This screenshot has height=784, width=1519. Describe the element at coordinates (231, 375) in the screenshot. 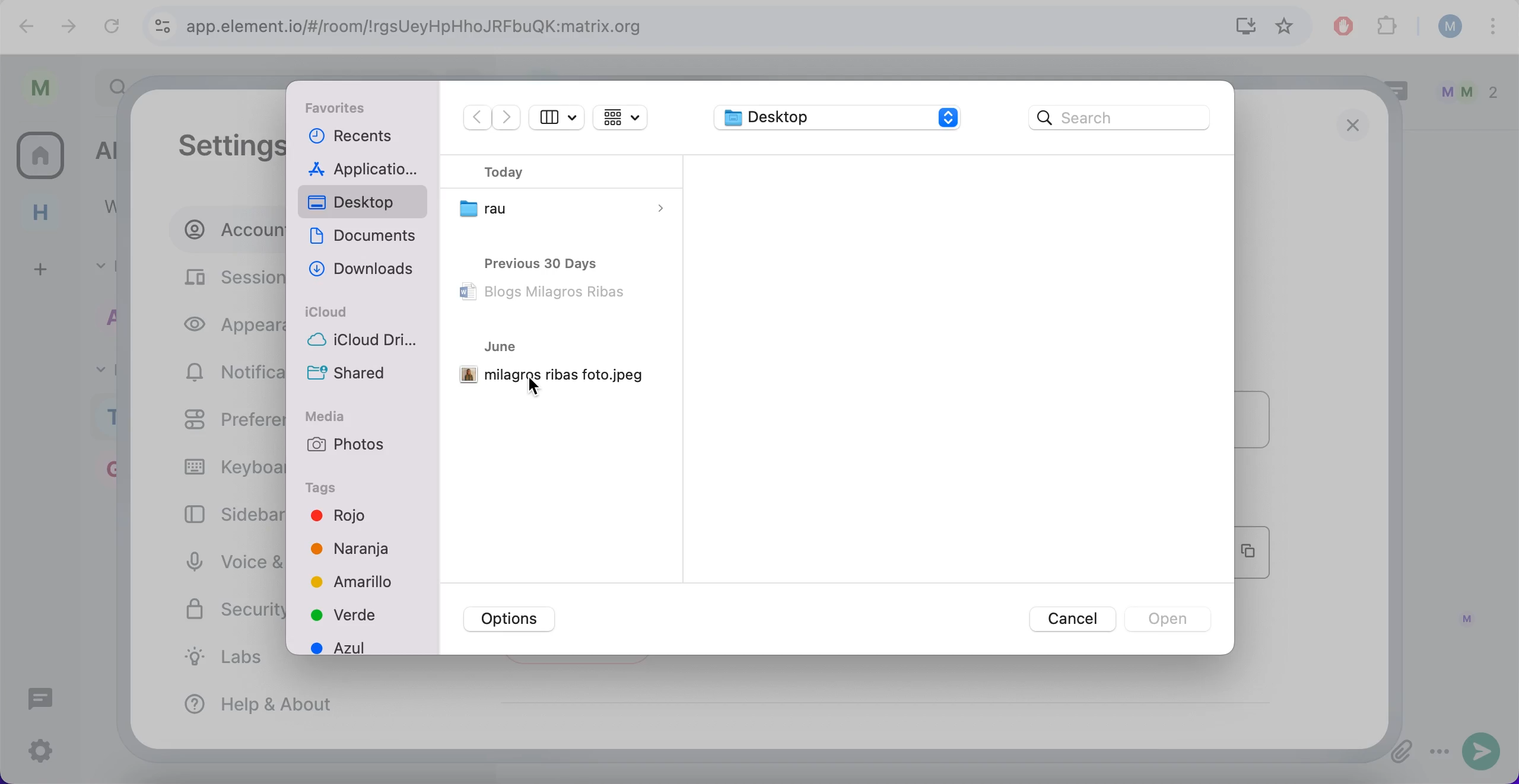

I see `notifications` at that location.